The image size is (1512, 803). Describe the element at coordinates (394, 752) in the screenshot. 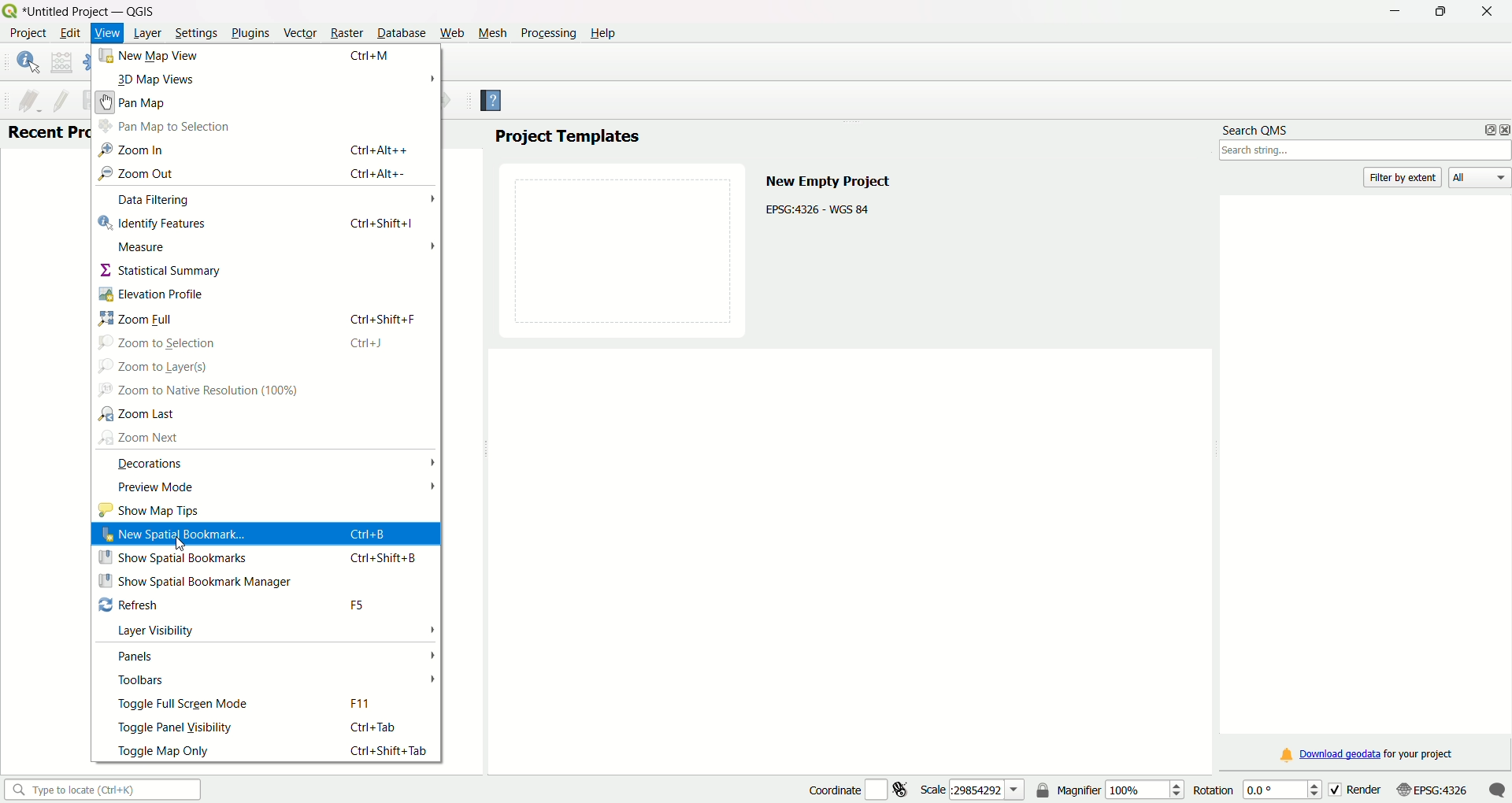

I see `ctrl+shift+tab` at that location.